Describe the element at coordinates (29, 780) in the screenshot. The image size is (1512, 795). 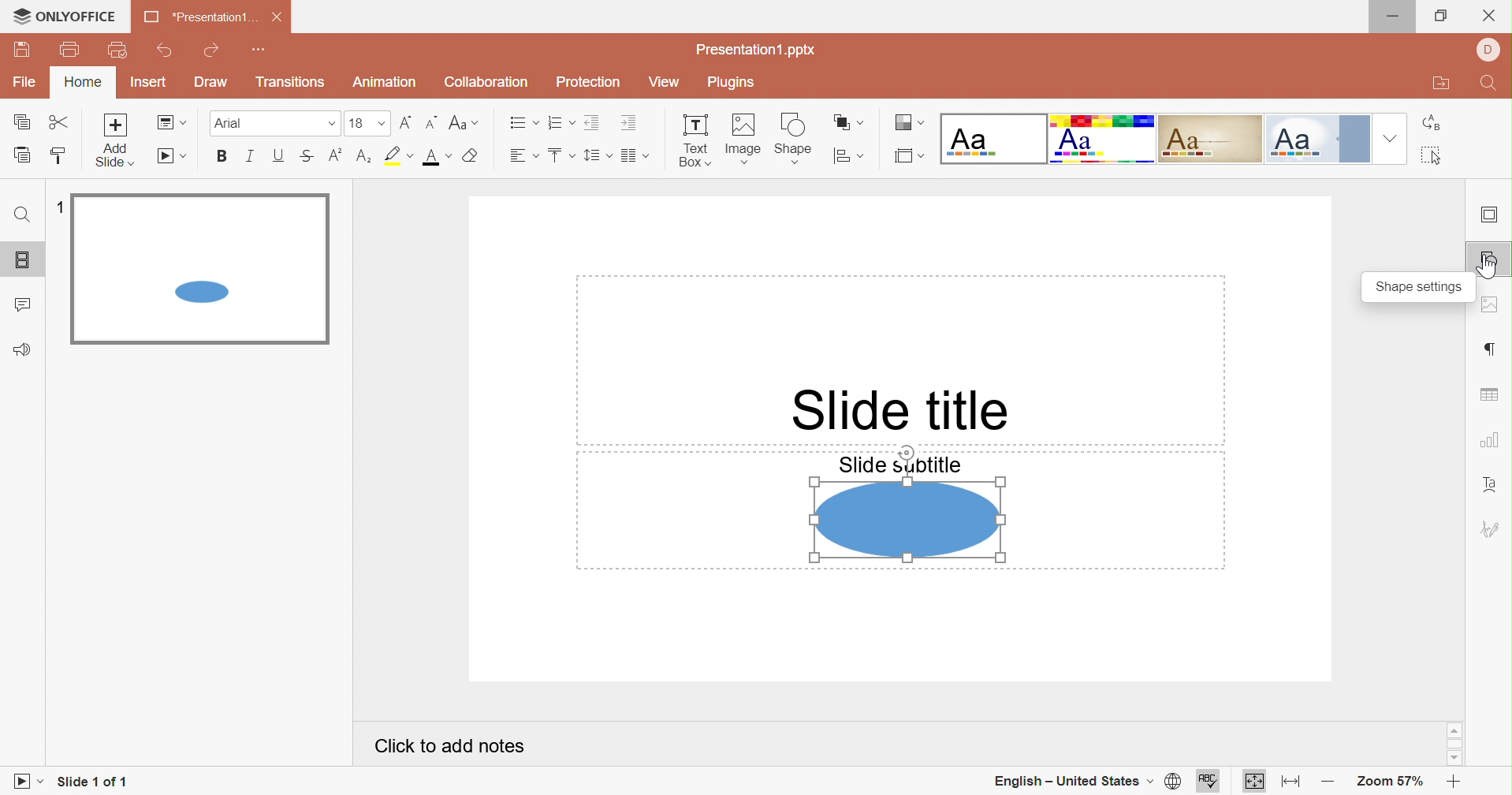
I see `Start slideshow` at that location.